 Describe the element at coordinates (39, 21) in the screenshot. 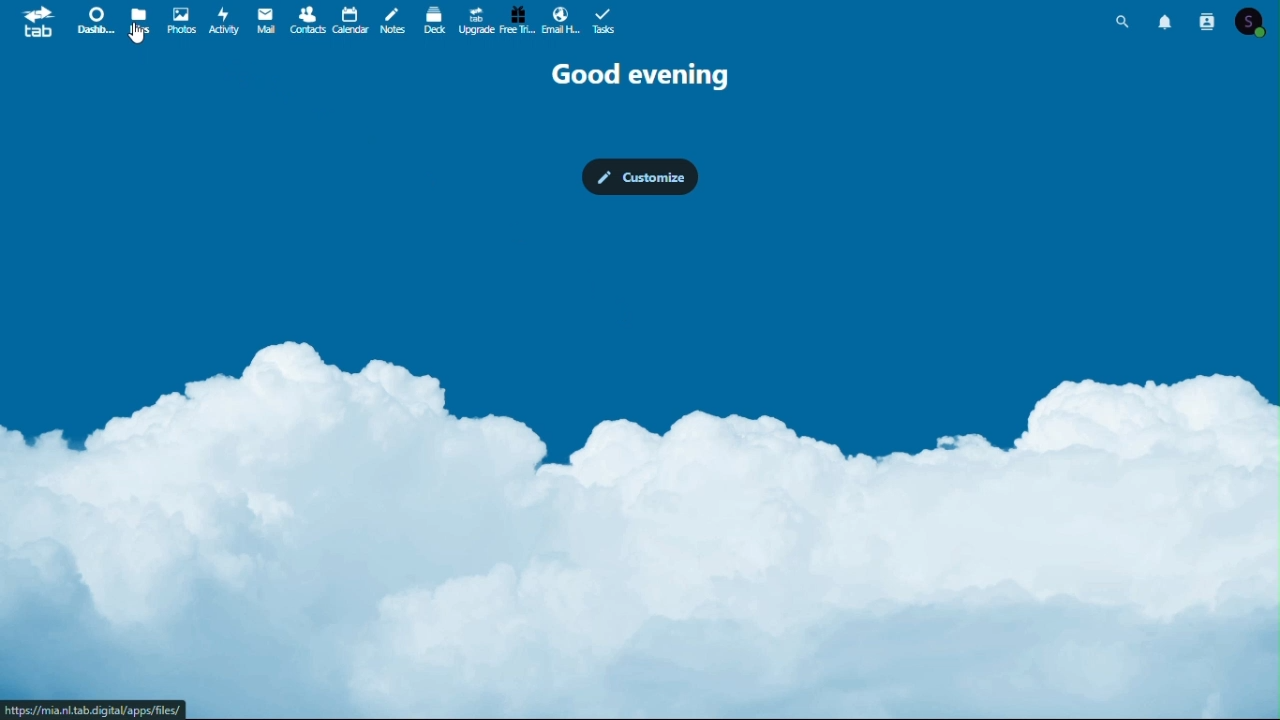

I see `tab` at that location.